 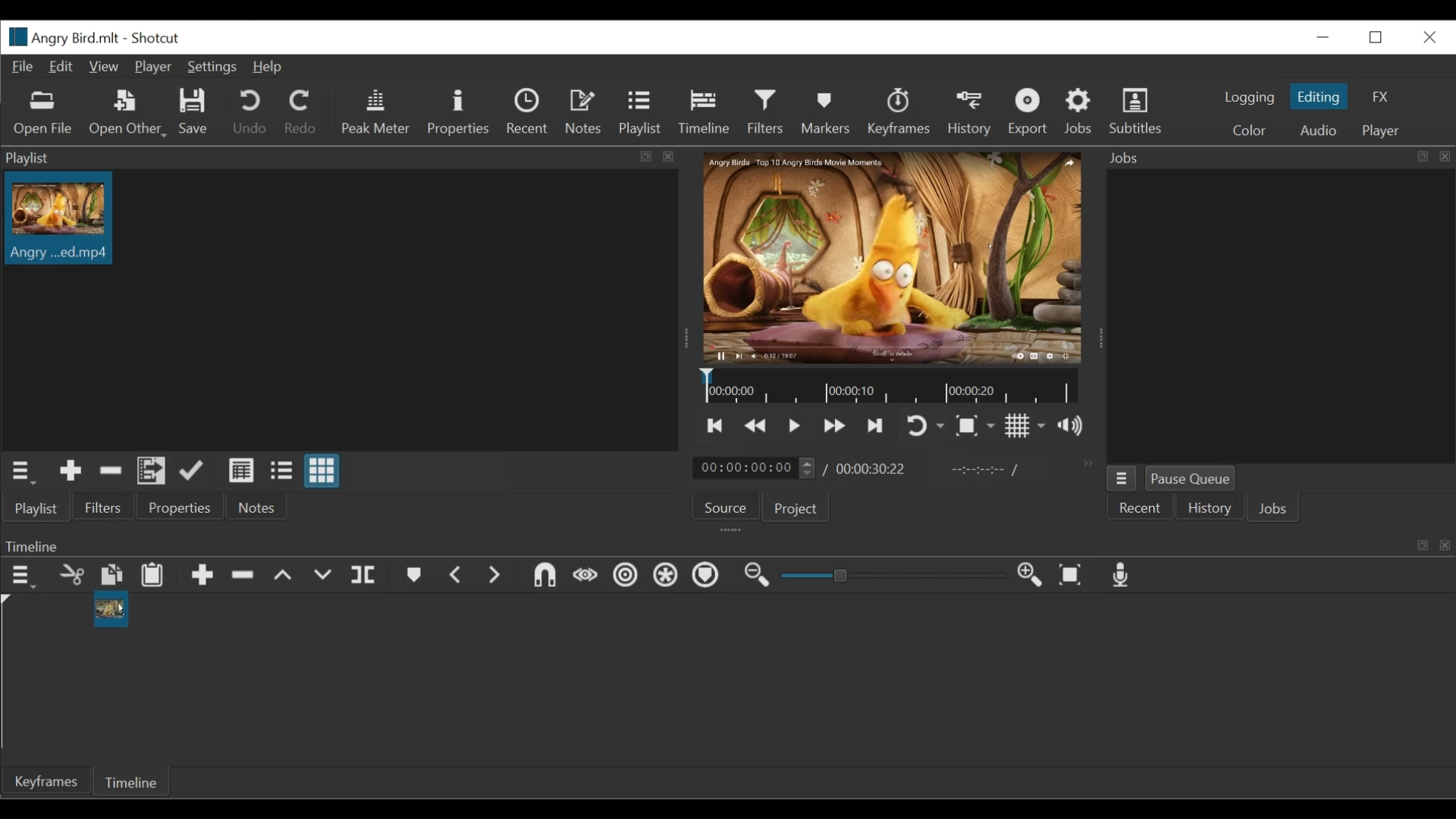 What do you see at coordinates (71, 471) in the screenshot?
I see `Add Source to the playlist` at bounding box center [71, 471].